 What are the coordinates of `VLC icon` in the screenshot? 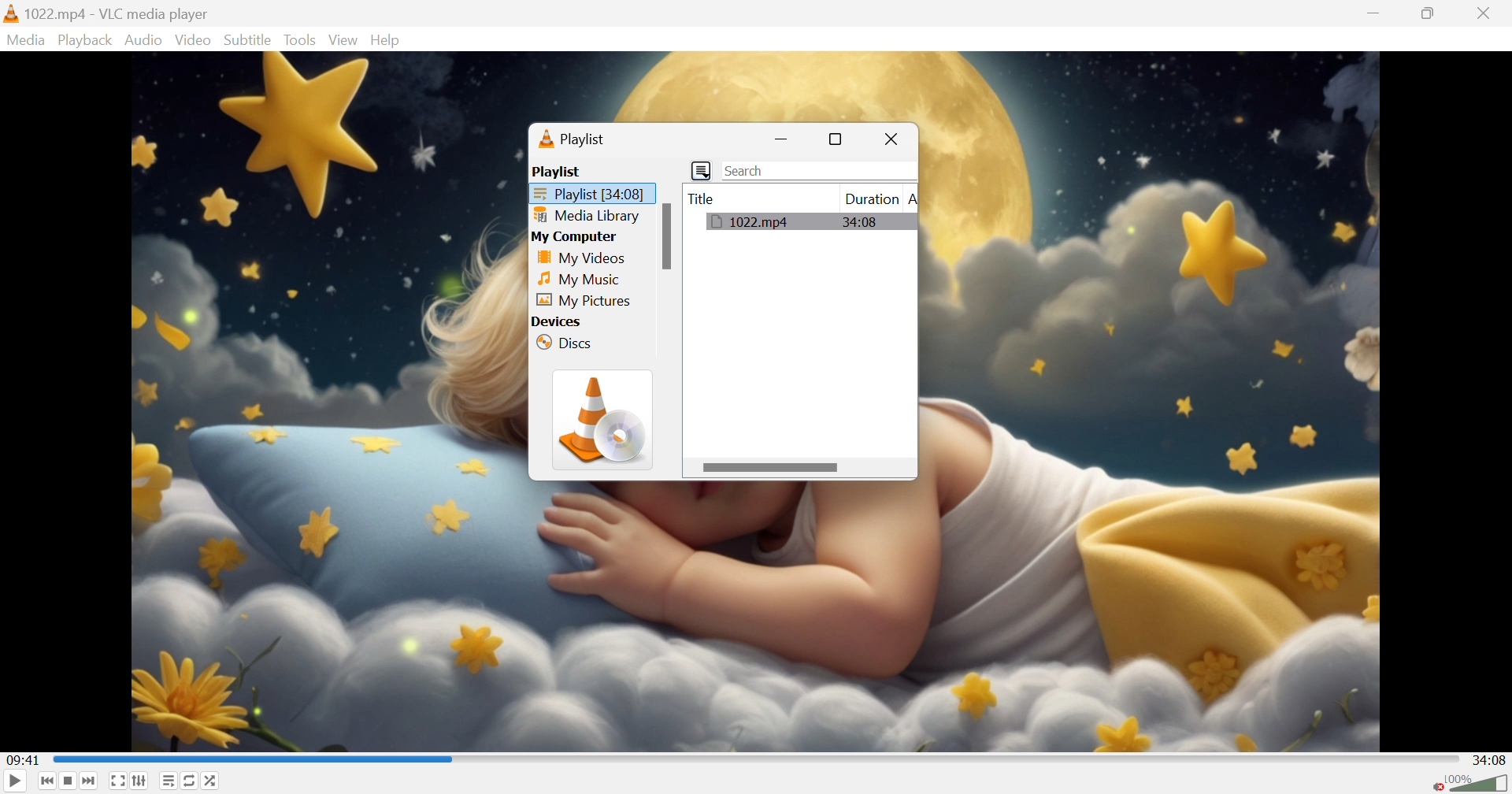 It's located at (601, 418).